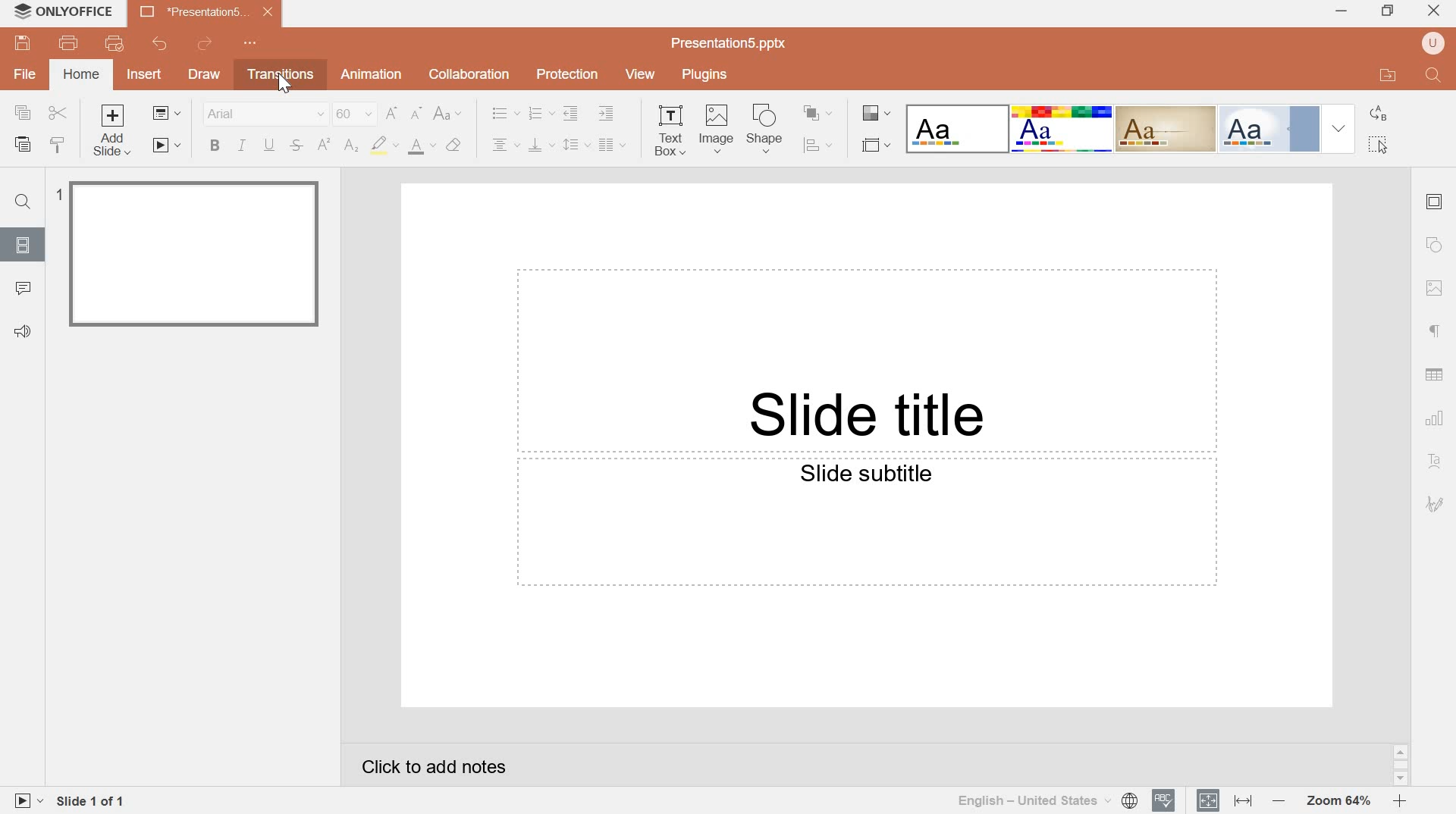 This screenshot has width=1456, height=814. Describe the element at coordinates (284, 83) in the screenshot. I see `cursor` at that location.